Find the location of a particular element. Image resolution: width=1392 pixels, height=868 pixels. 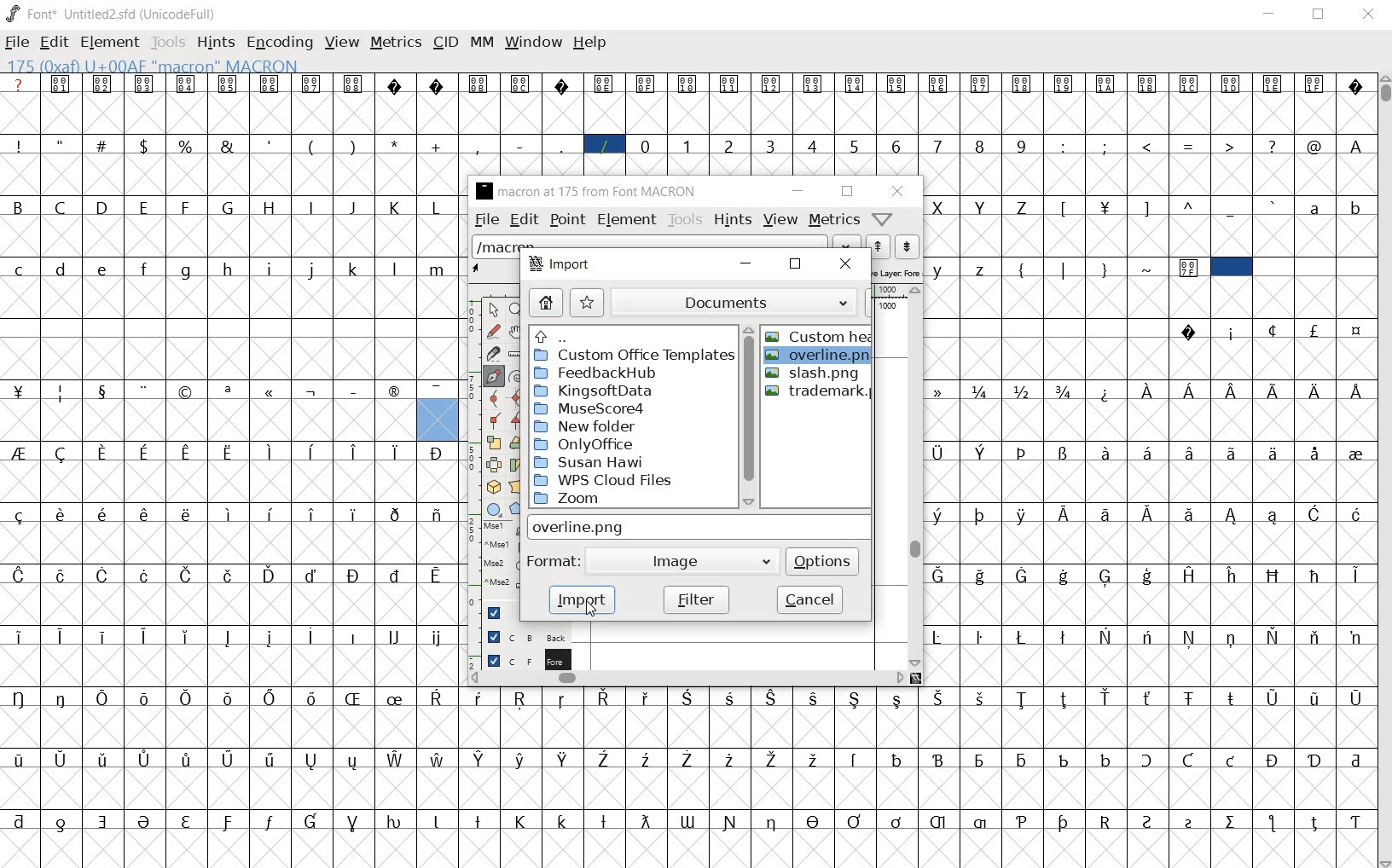

Custom Office Templates is located at coordinates (634, 355).